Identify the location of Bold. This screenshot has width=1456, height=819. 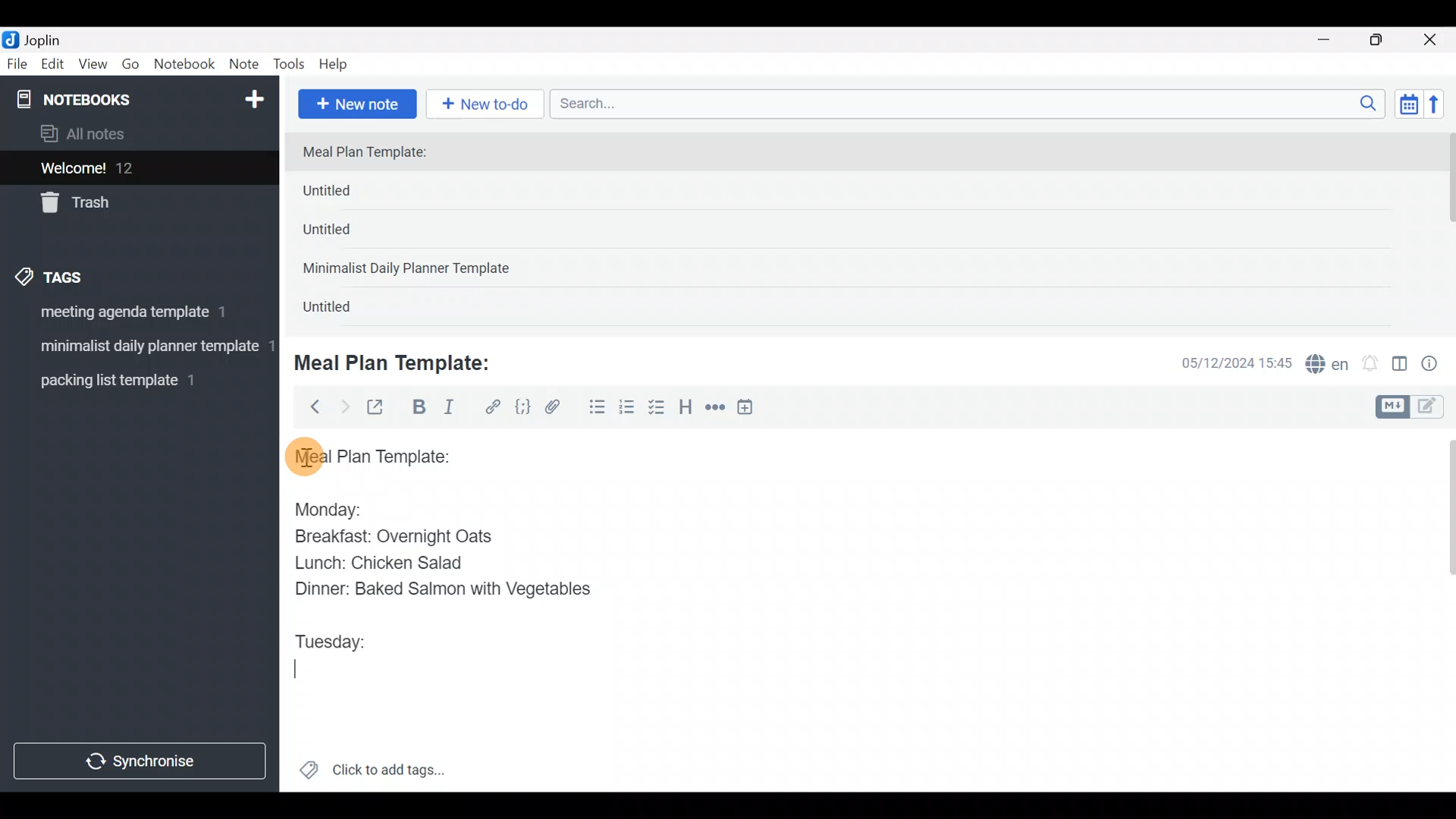
(418, 409).